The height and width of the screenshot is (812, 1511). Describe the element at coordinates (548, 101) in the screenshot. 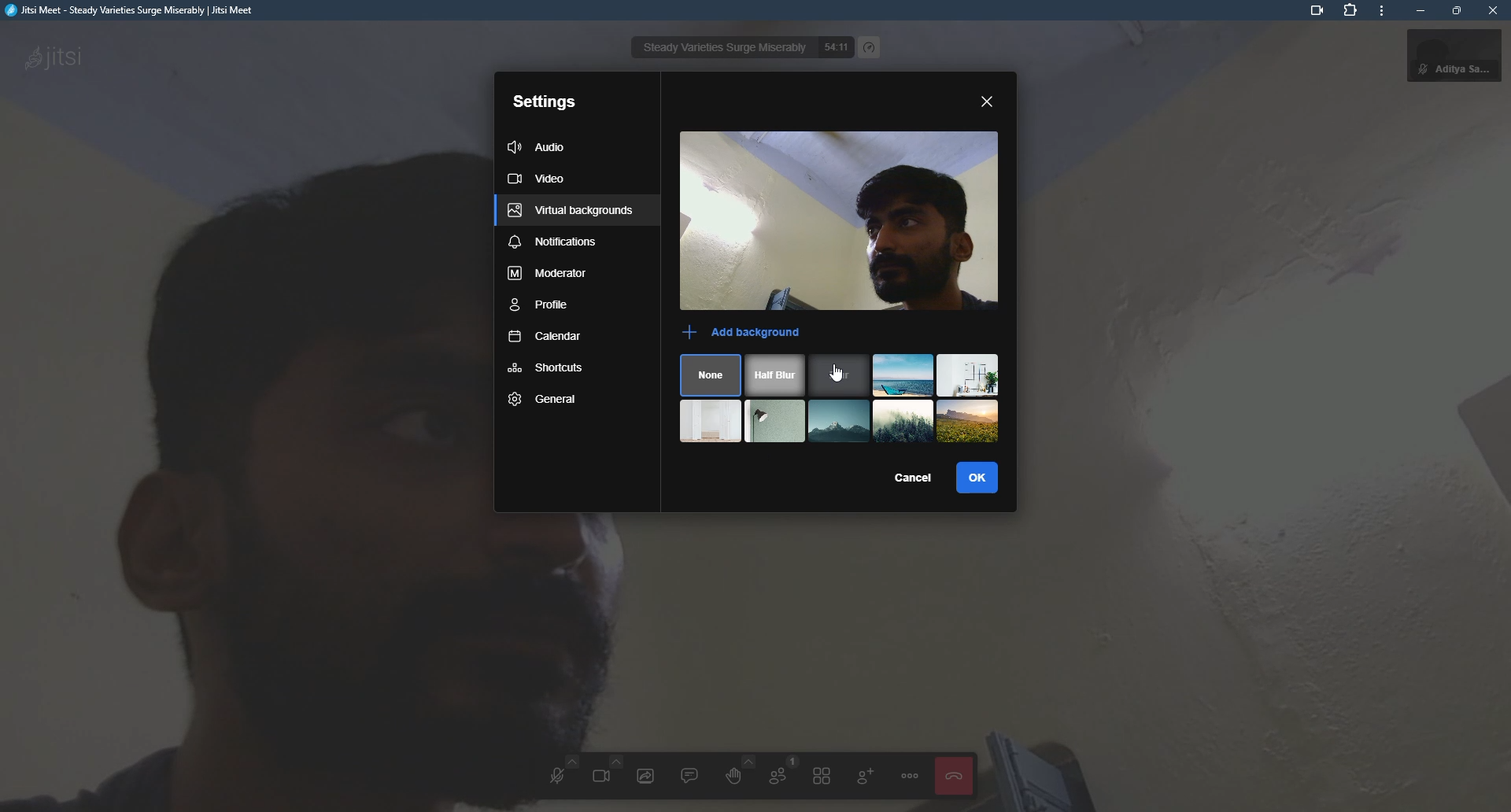

I see `` at that location.